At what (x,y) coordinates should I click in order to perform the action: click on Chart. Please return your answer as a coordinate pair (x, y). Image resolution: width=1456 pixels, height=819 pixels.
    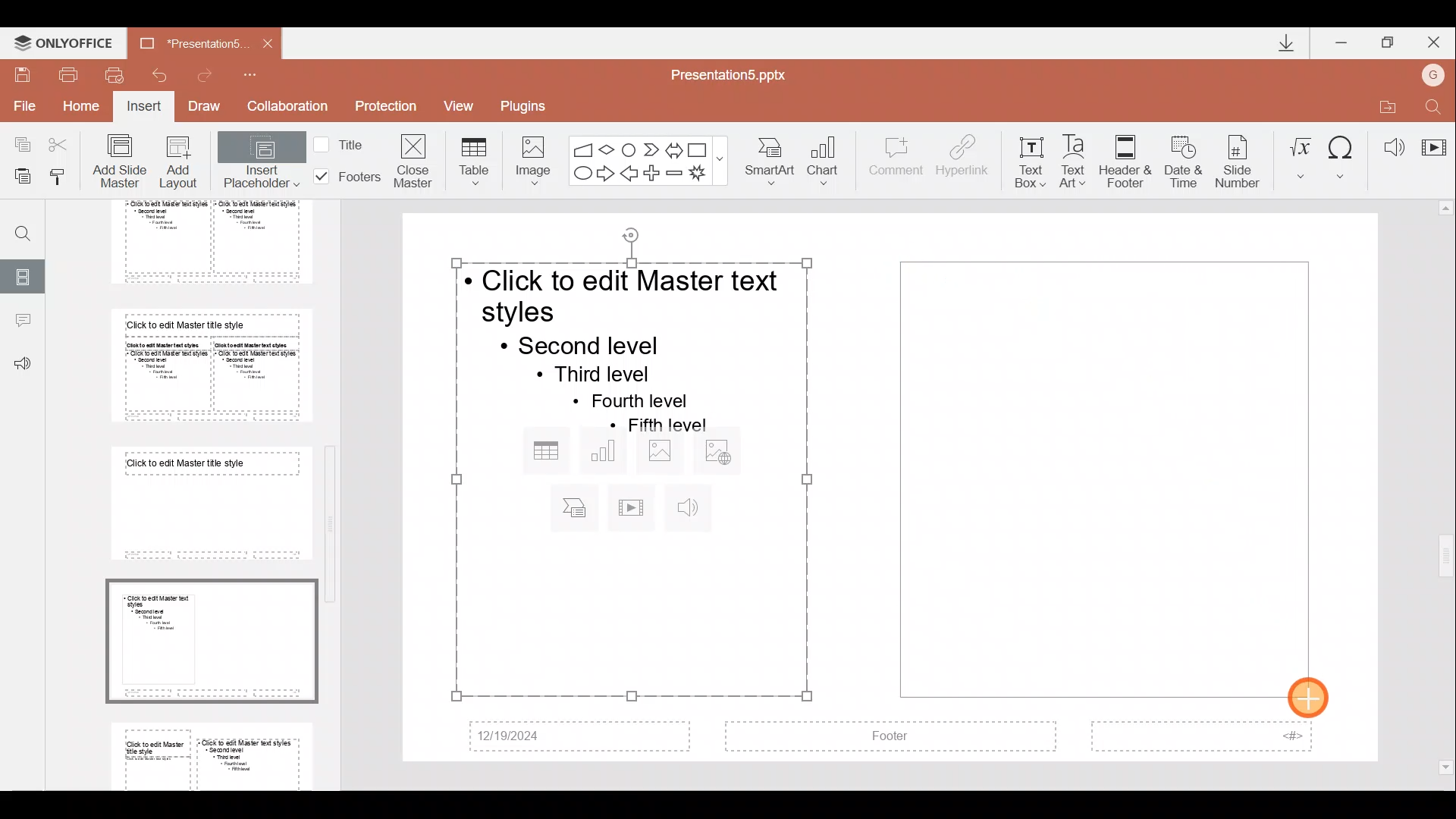
    Looking at the image, I should click on (833, 162).